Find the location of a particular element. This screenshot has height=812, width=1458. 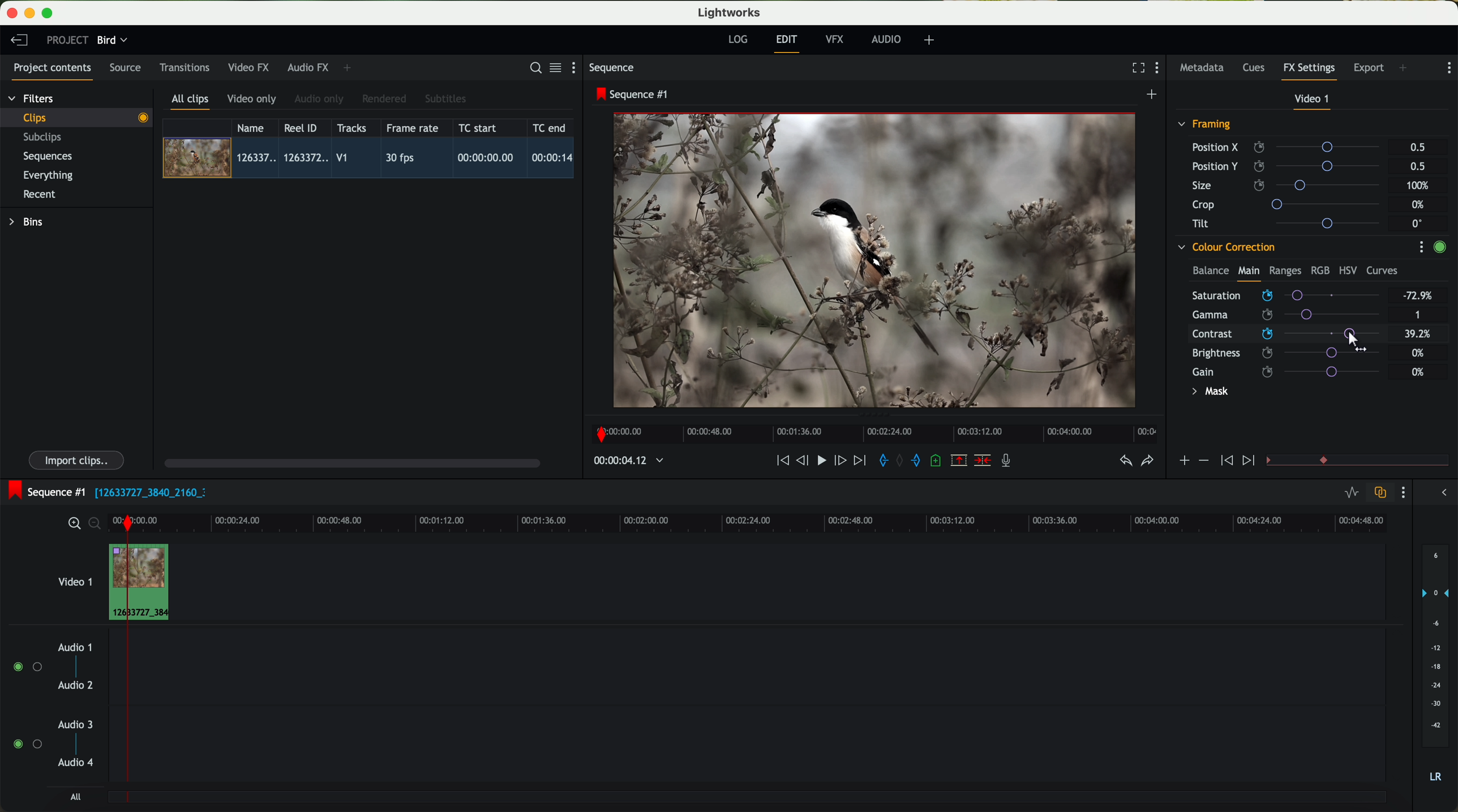

100% is located at coordinates (1421, 186).